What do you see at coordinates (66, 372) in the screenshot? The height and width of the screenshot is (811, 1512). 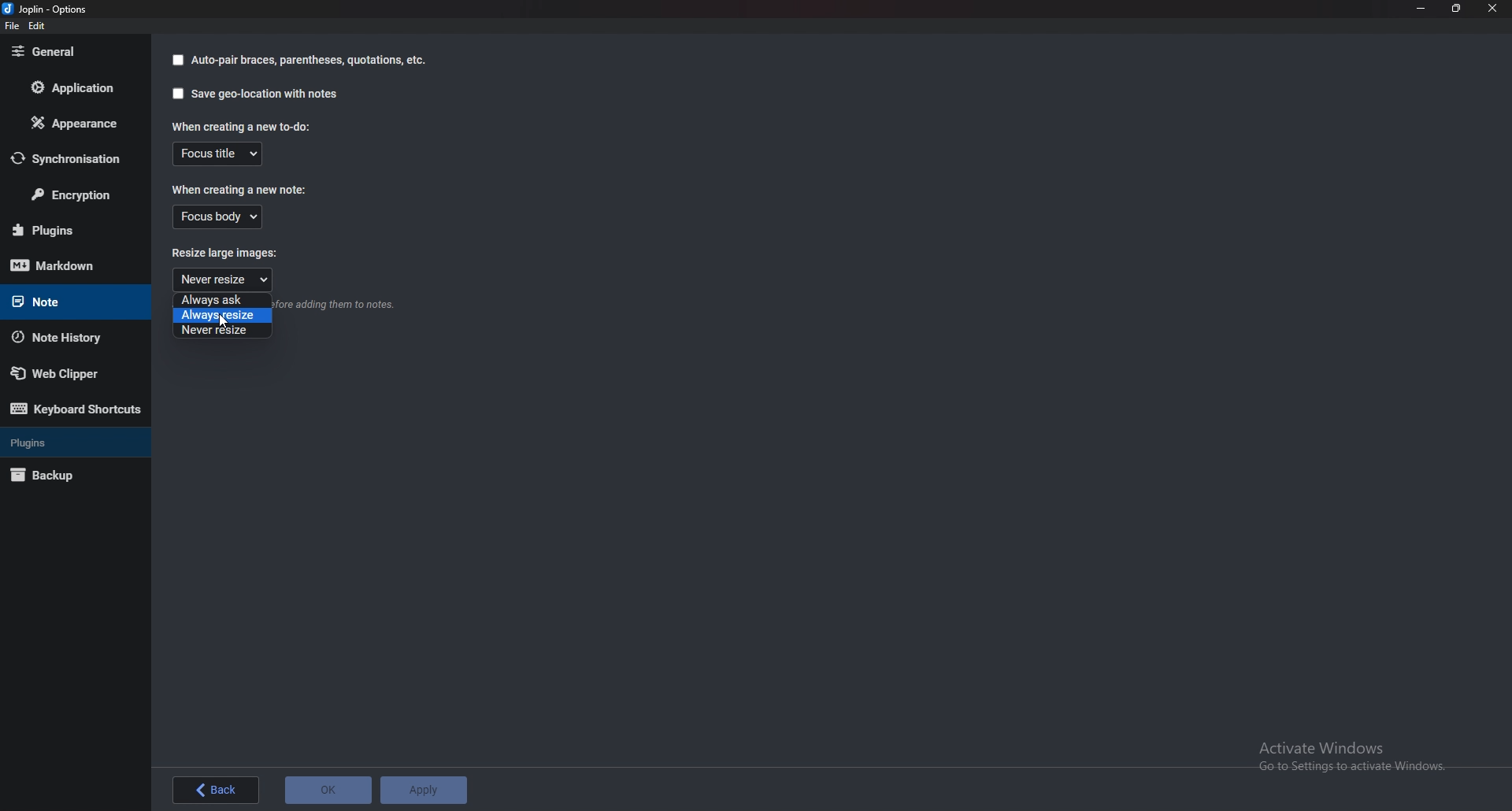 I see `Web Clipper` at bounding box center [66, 372].